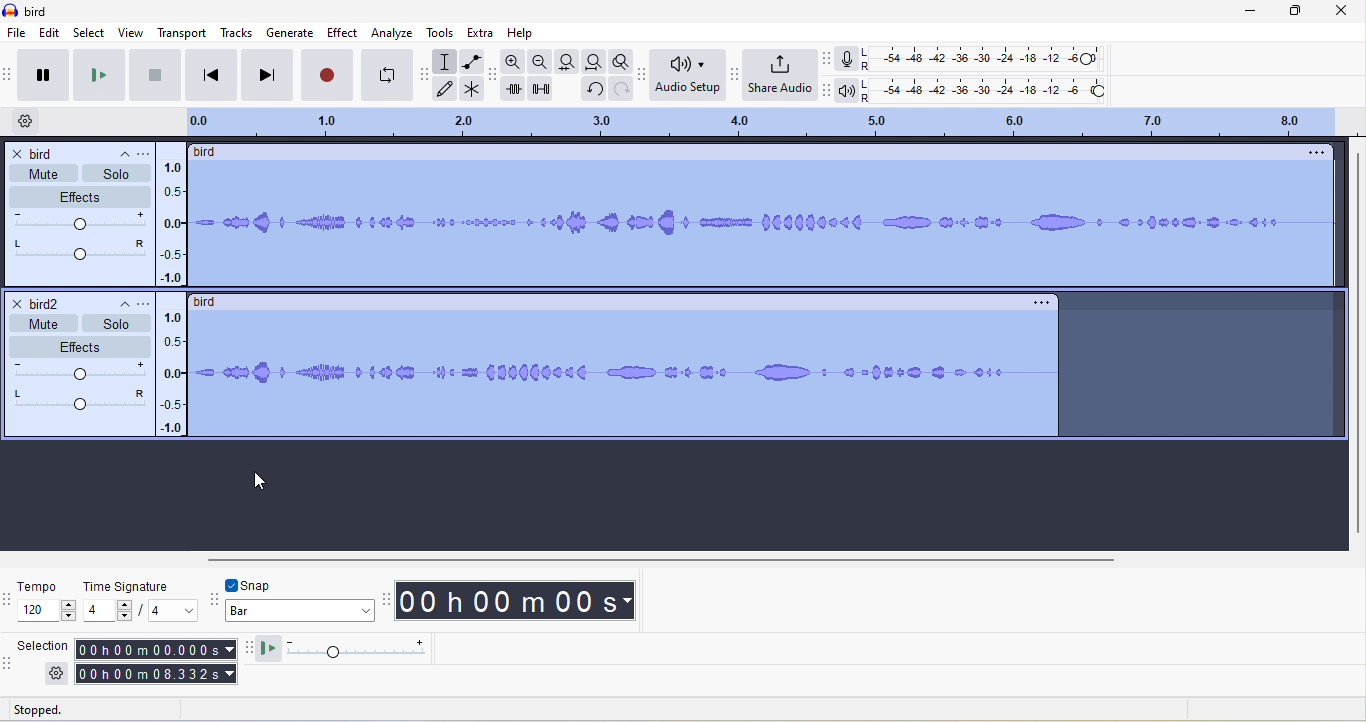 This screenshot has width=1366, height=722. Describe the element at coordinates (1344, 12) in the screenshot. I see `close` at that location.